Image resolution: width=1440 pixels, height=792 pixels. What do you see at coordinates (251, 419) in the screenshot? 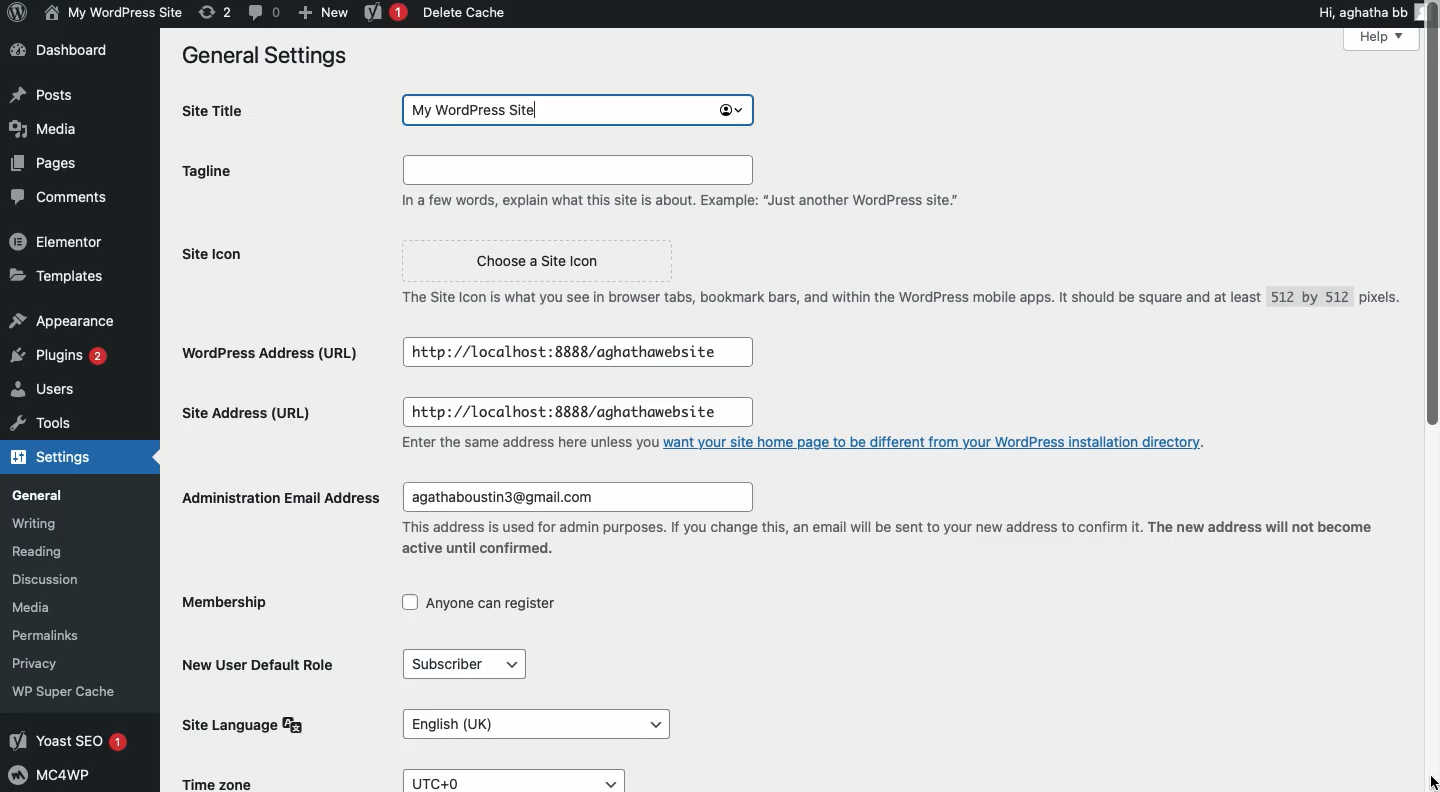
I see `Site address url` at bounding box center [251, 419].